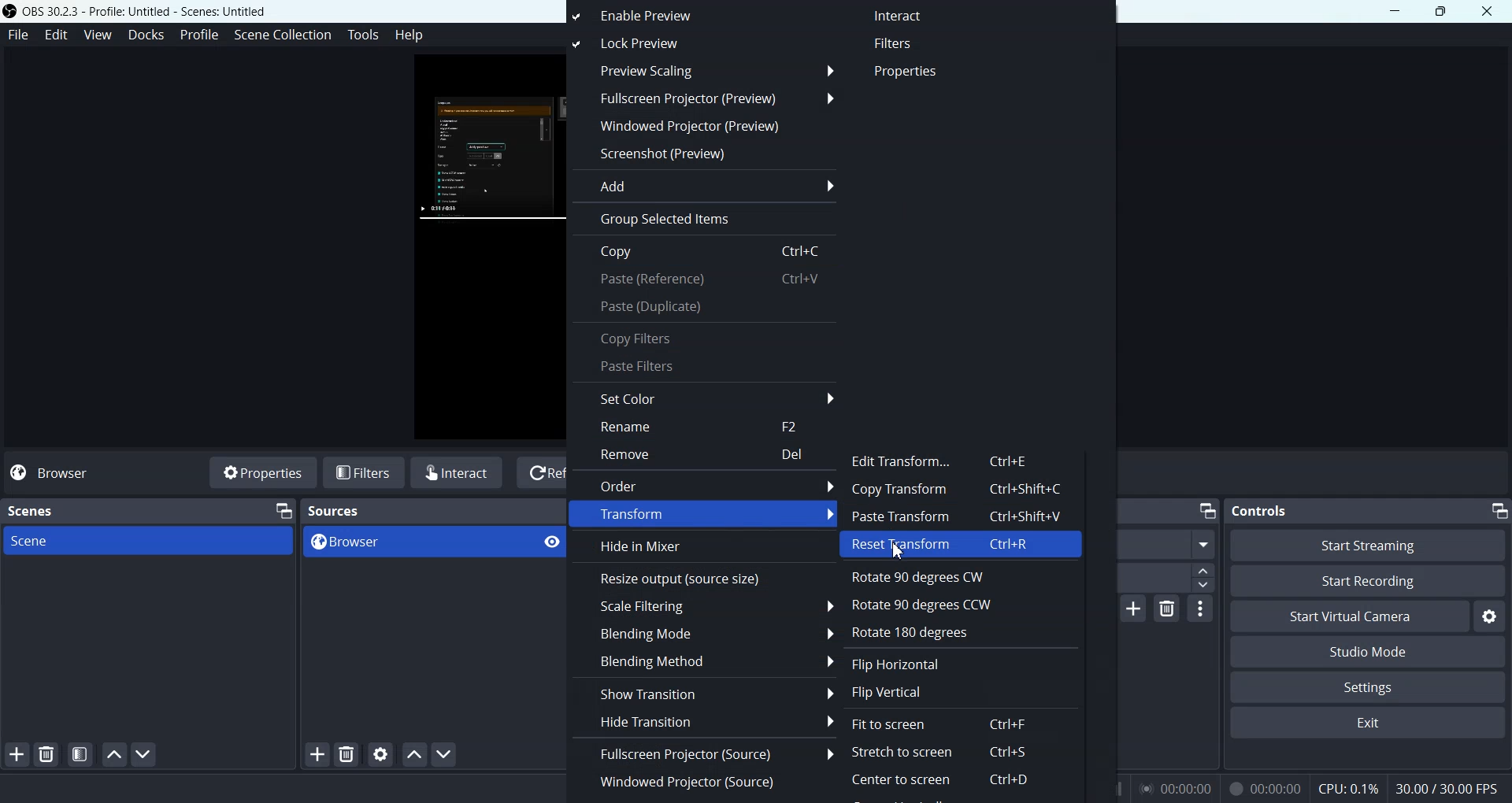 This screenshot has width=1512, height=803. What do you see at coordinates (17, 34) in the screenshot?
I see `File` at bounding box center [17, 34].